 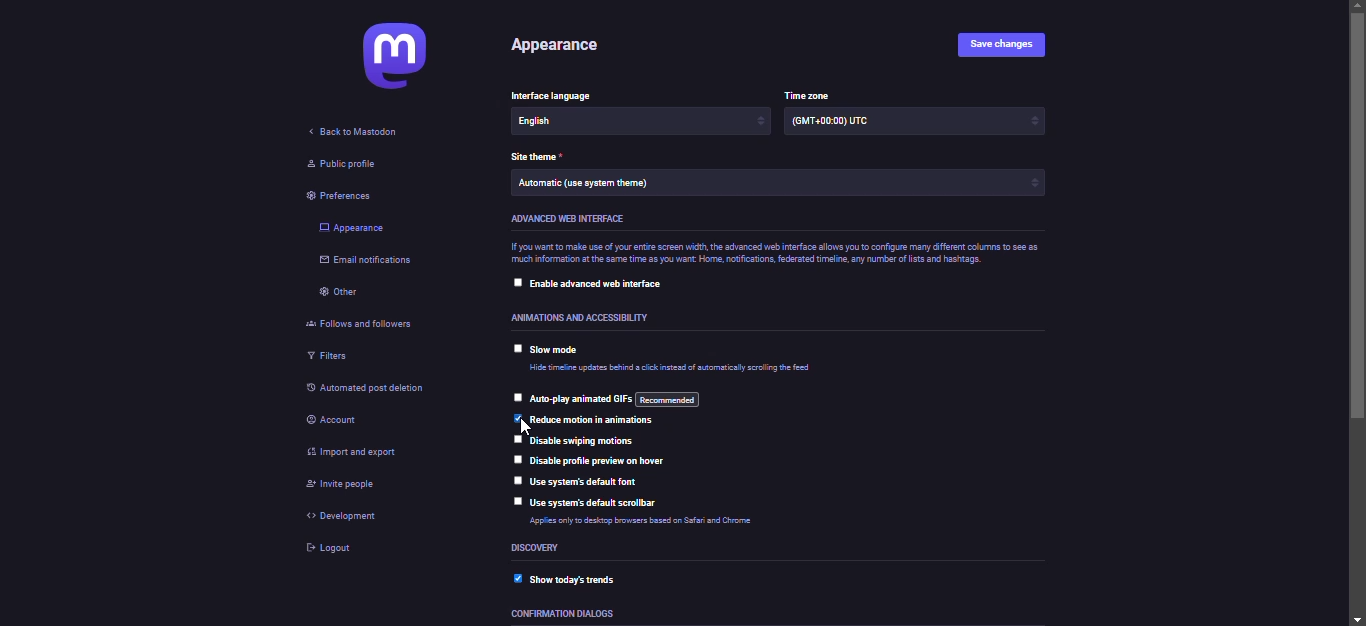 What do you see at coordinates (514, 459) in the screenshot?
I see `click to select` at bounding box center [514, 459].